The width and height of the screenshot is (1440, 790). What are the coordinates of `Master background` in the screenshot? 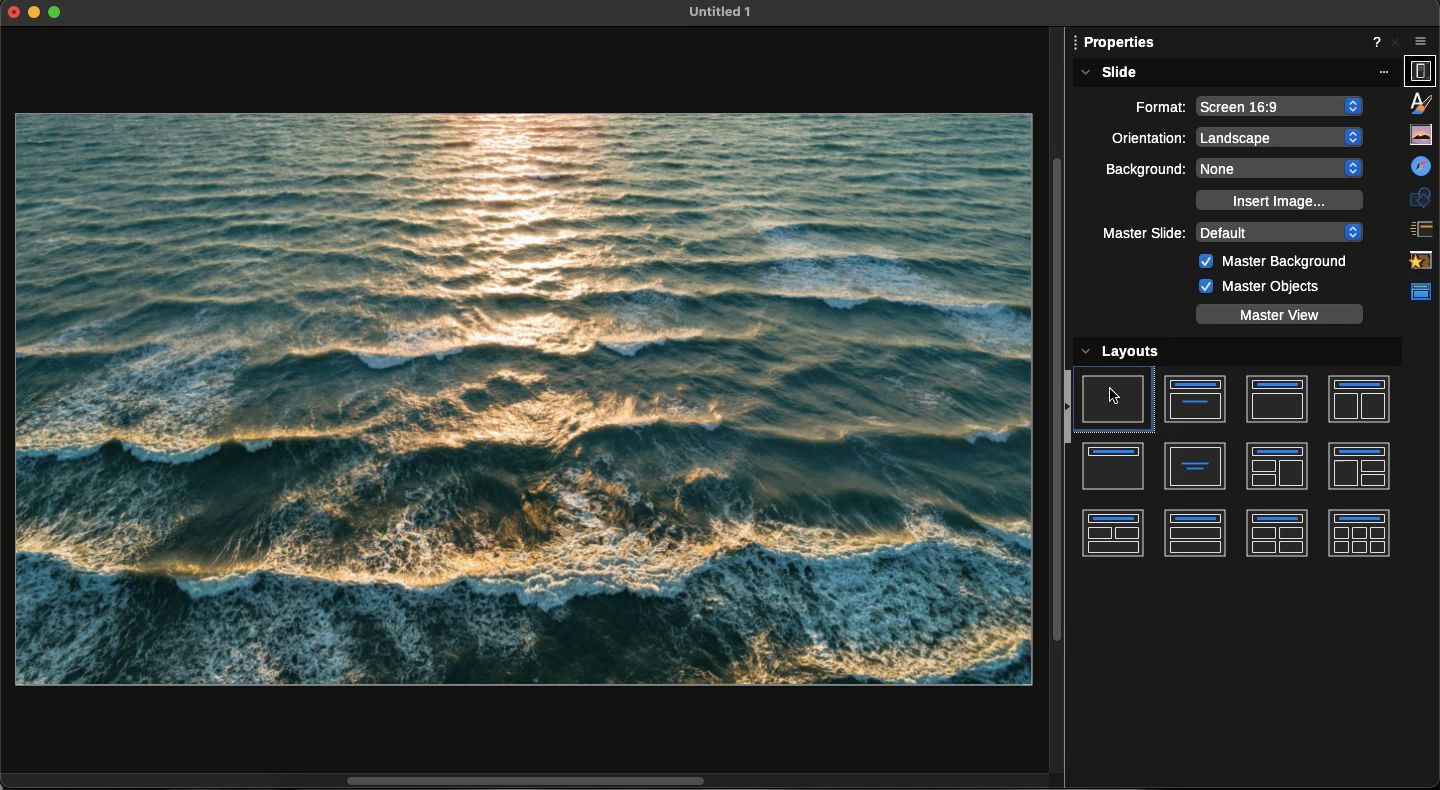 It's located at (1276, 263).